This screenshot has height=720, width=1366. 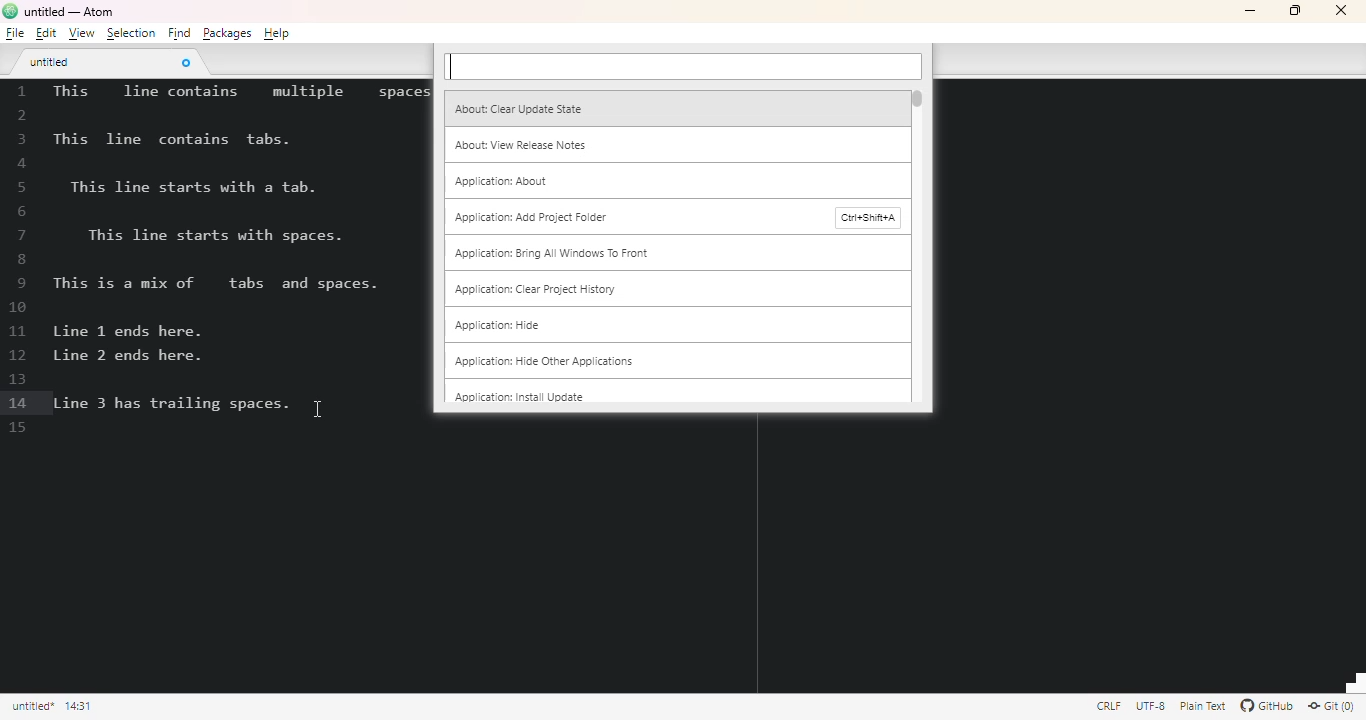 I want to click on click to copy absolute file path, so click(x=32, y=706).